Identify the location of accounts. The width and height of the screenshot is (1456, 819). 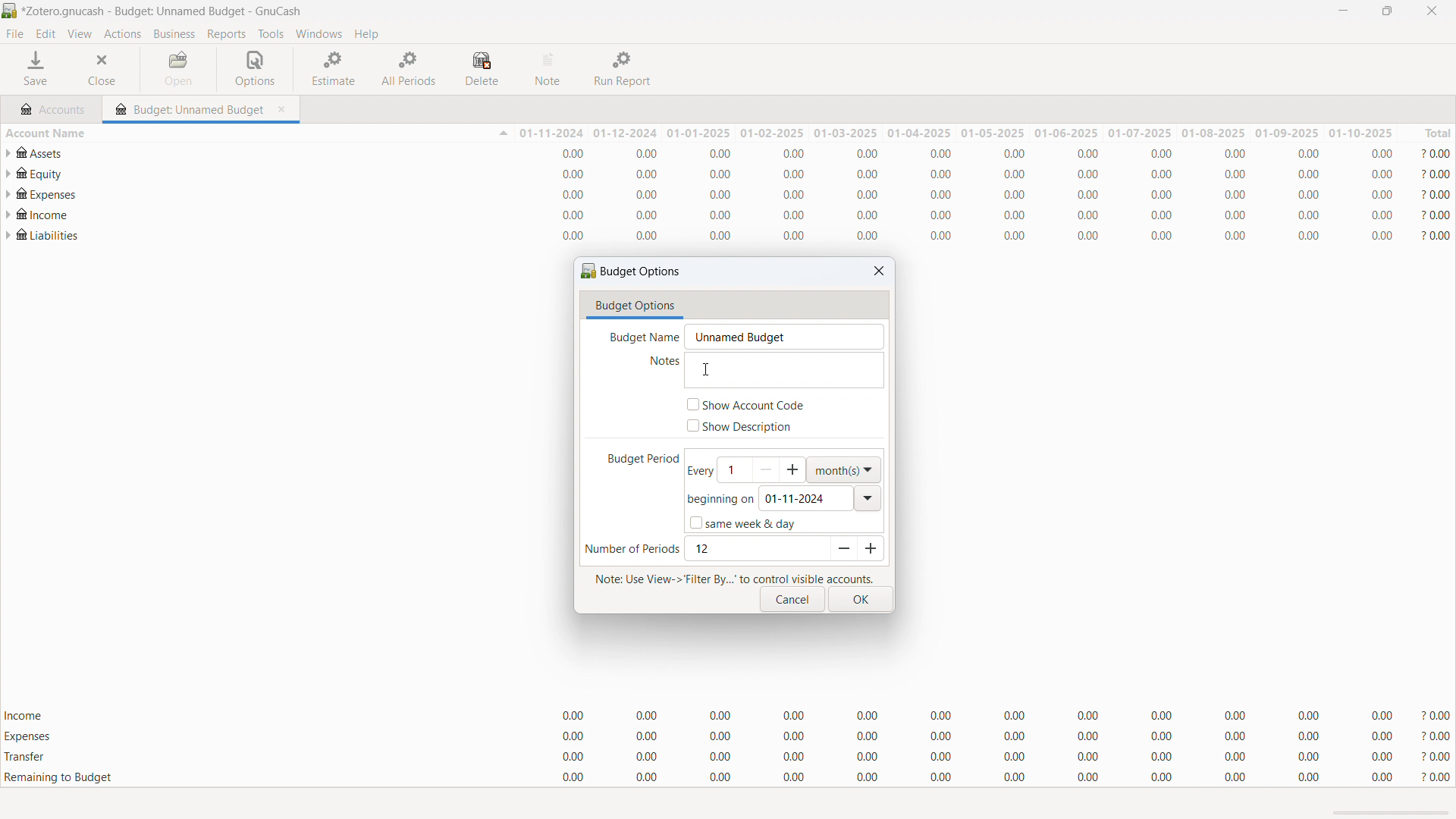
(52, 107).